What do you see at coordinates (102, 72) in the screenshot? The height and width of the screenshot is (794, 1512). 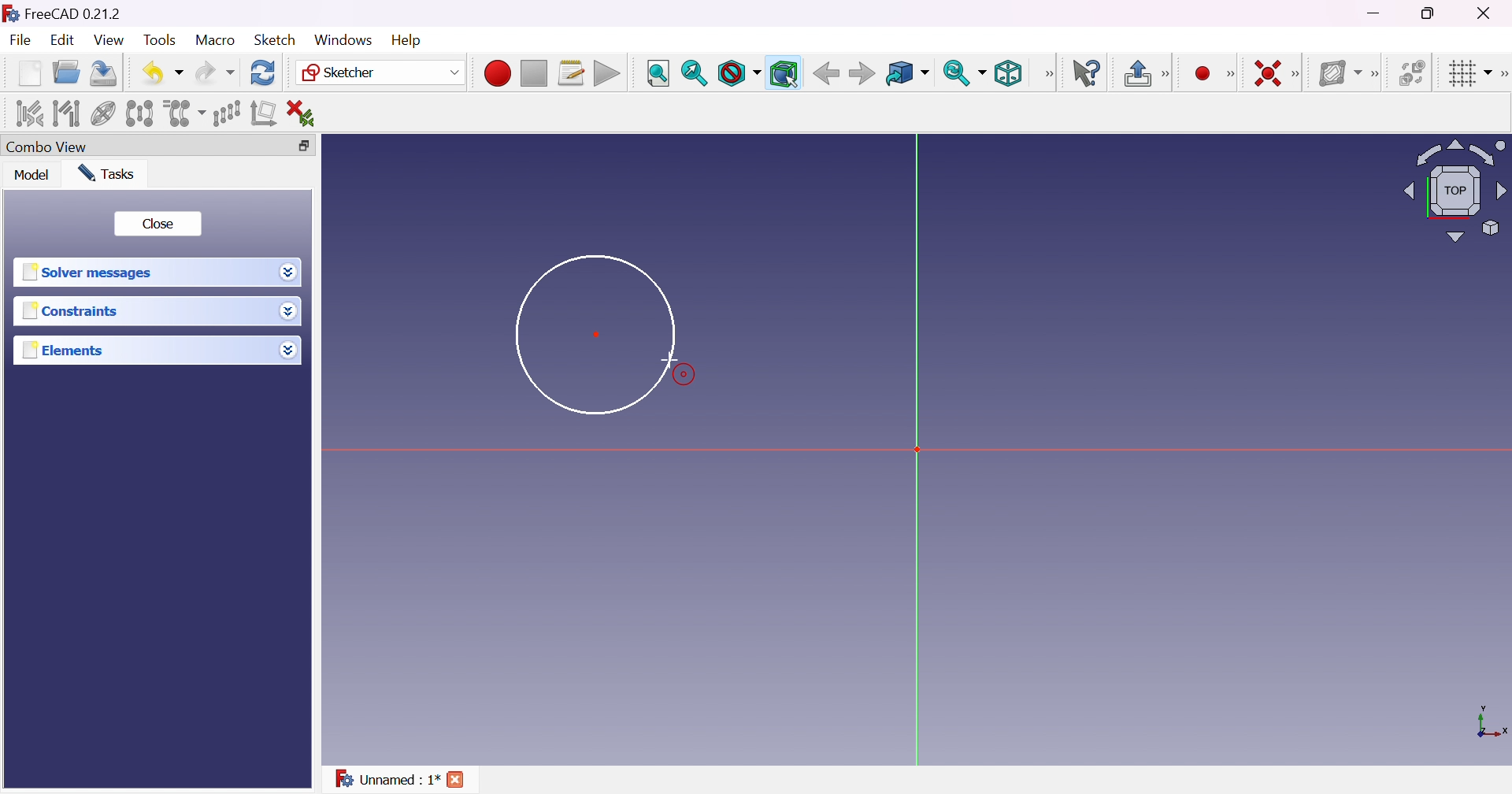 I see `Save` at bounding box center [102, 72].